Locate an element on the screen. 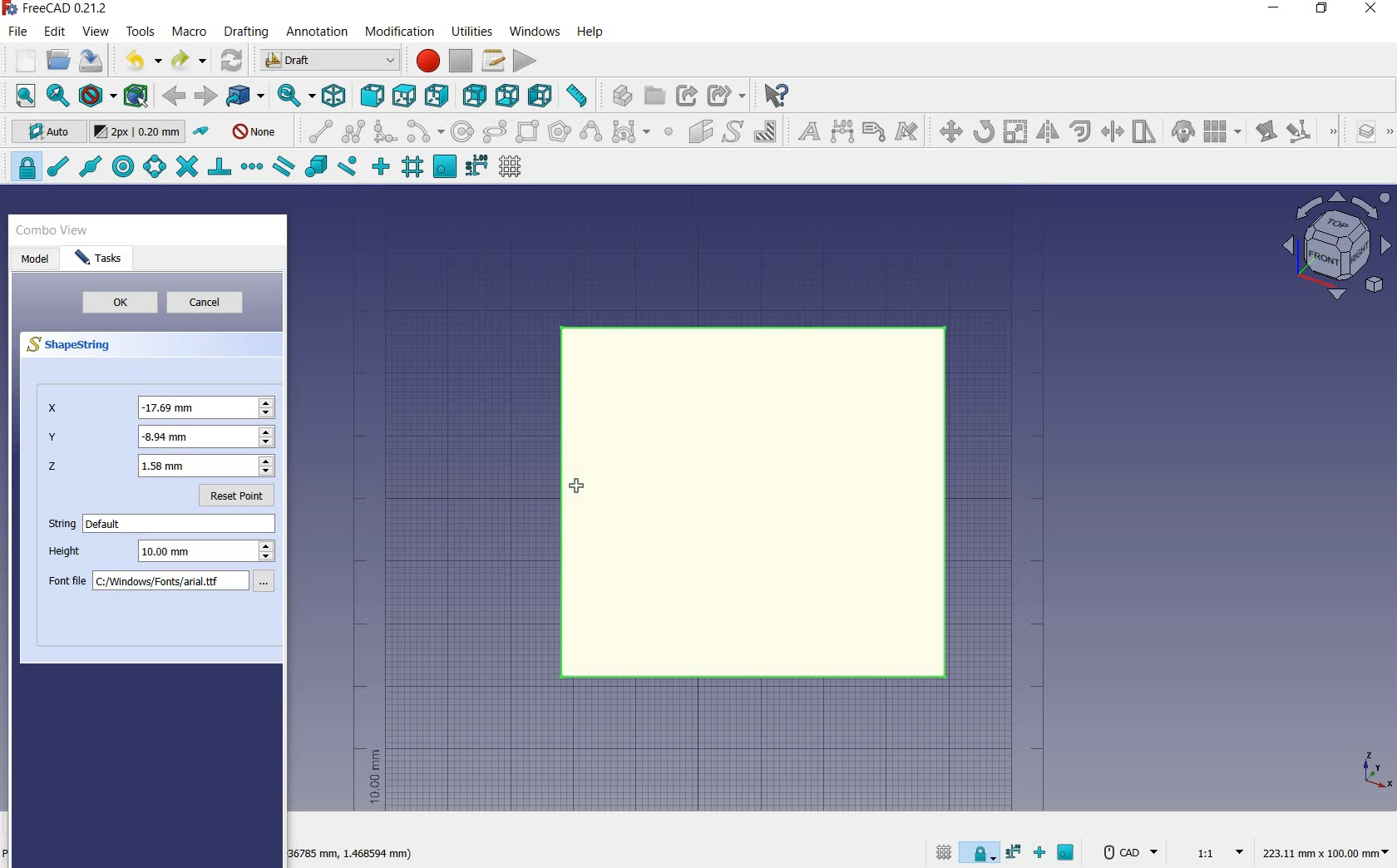 This screenshot has height=868, width=1397. snap endpoint is located at coordinates (57, 167).